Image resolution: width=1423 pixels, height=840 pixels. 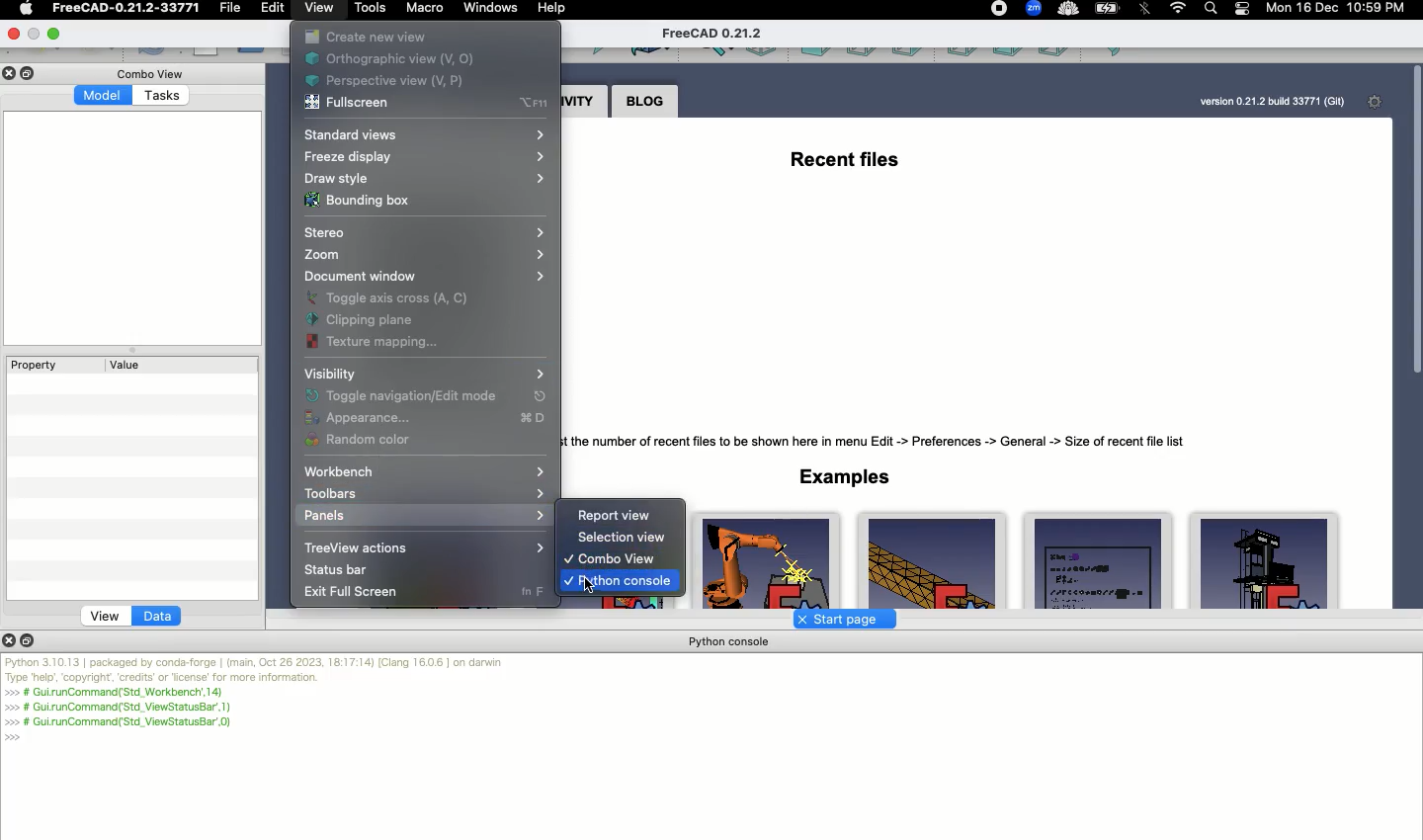 I want to click on Tools, so click(x=372, y=8).